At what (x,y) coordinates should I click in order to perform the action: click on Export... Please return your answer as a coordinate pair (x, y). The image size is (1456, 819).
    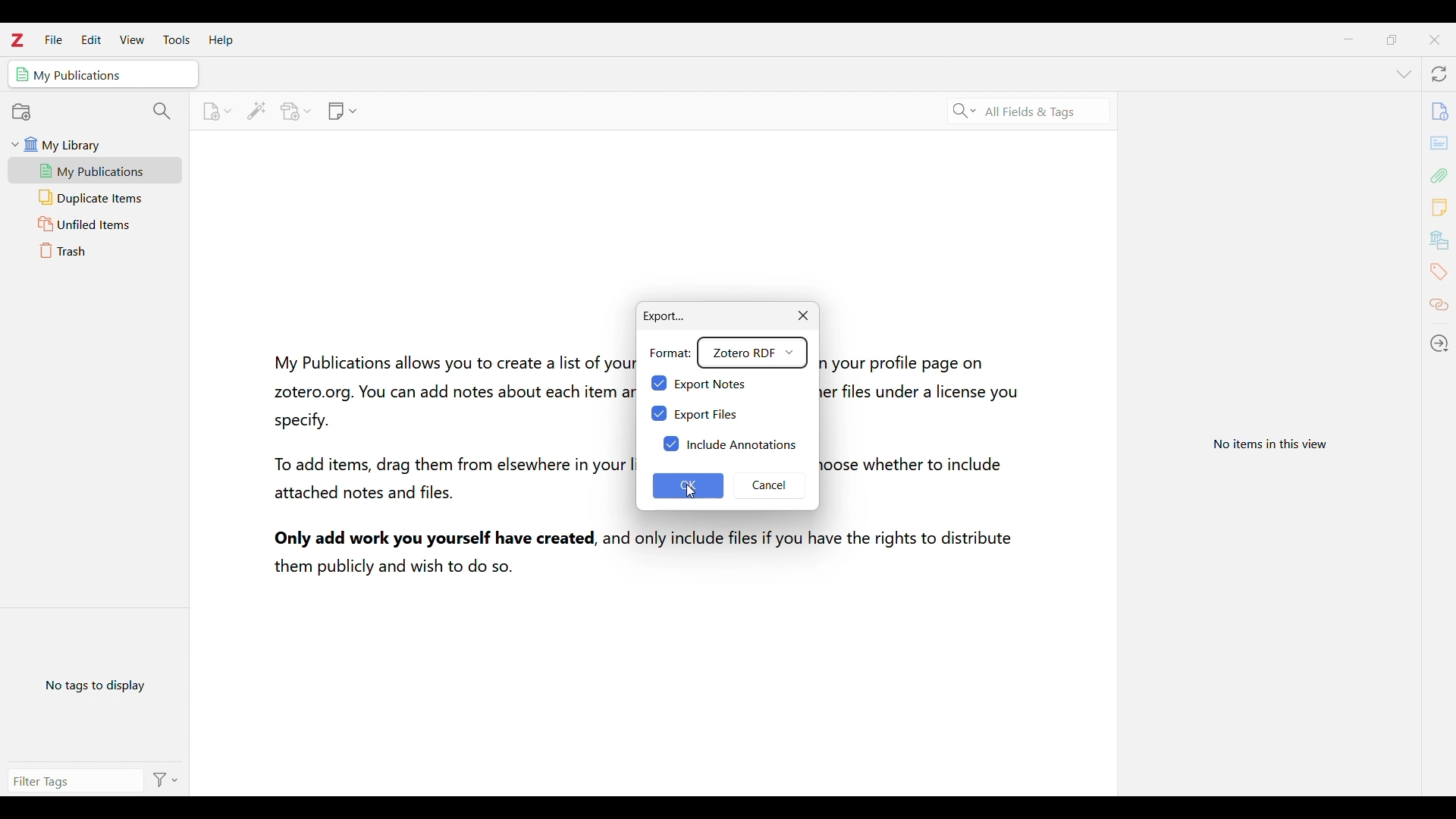
    Looking at the image, I should click on (660, 311).